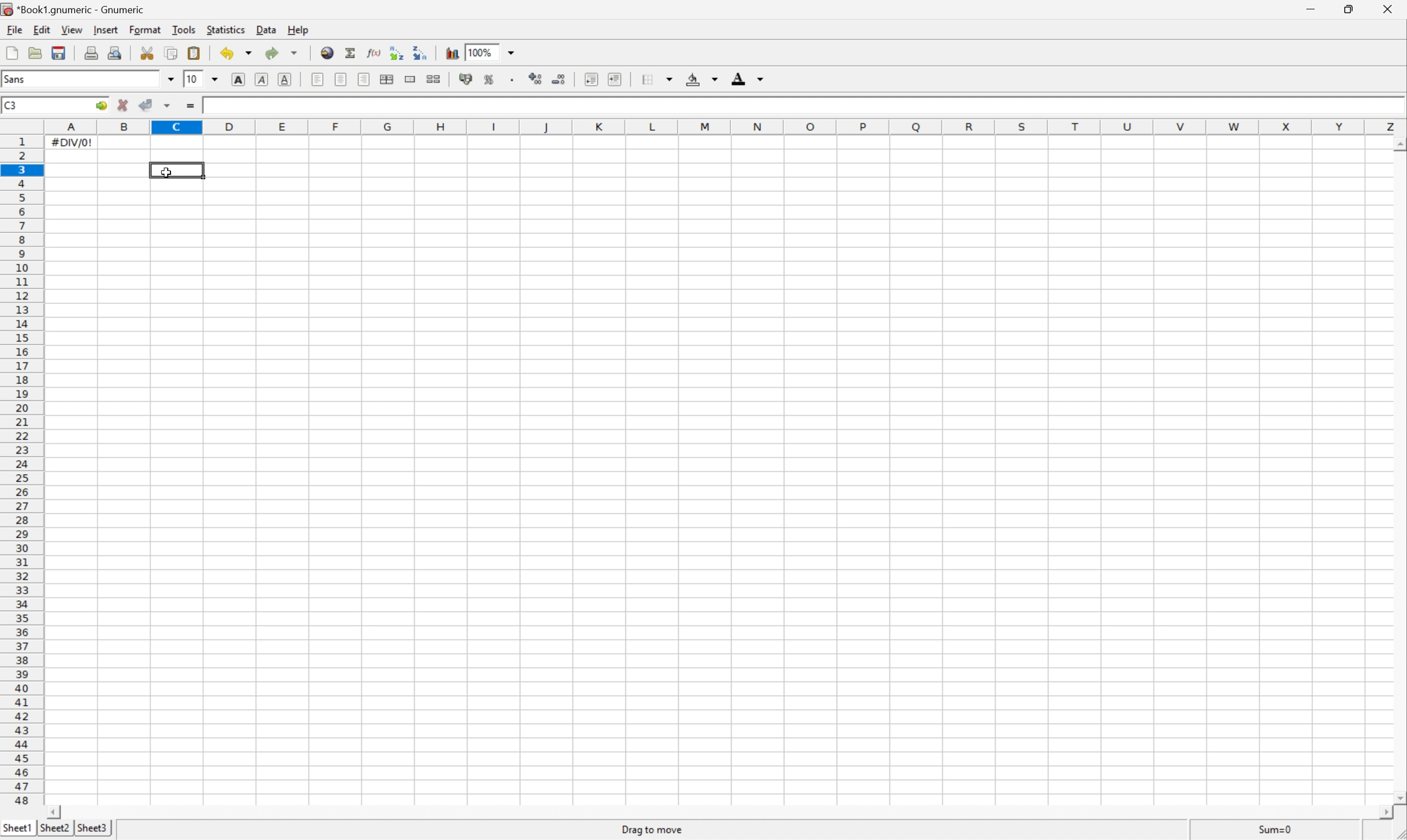  Describe the element at coordinates (11, 53) in the screenshot. I see ` Create new workbook` at that location.